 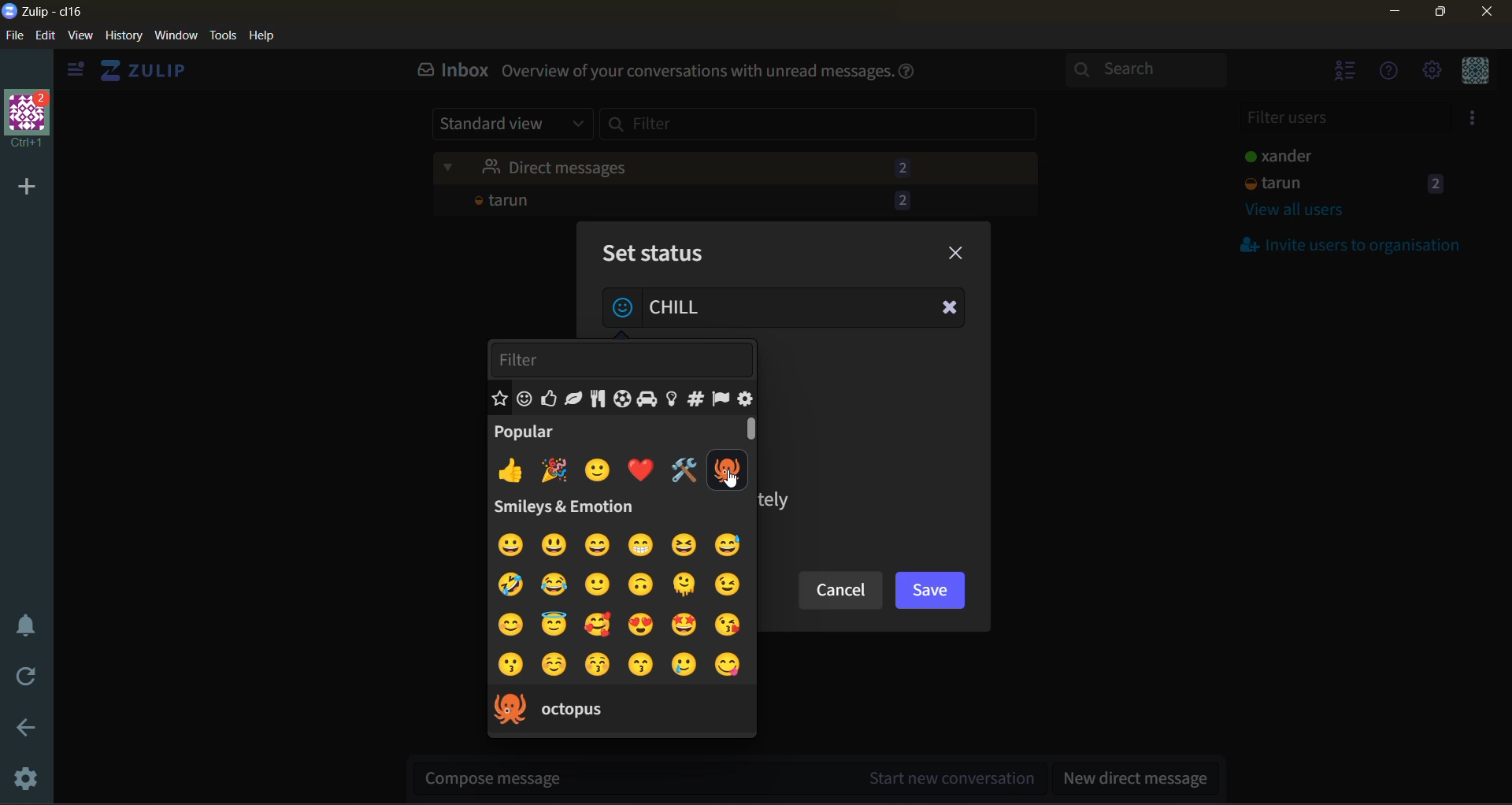 I want to click on settings, so click(x=25, y=779).